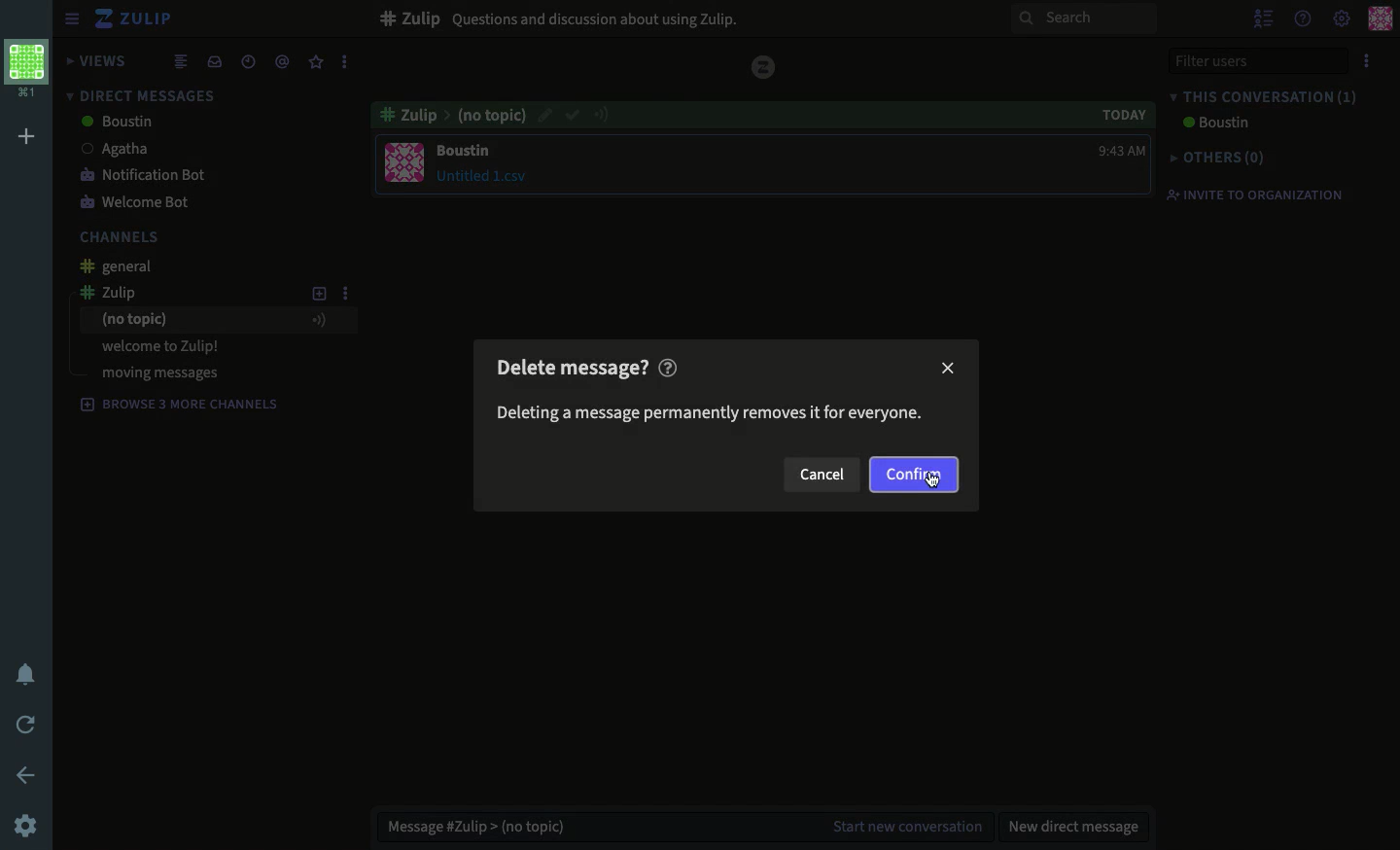 This screenshot has height=850, width=1400. Describe the element at coordinates (1302, 19) in the screenshot. I see `help` at that location.